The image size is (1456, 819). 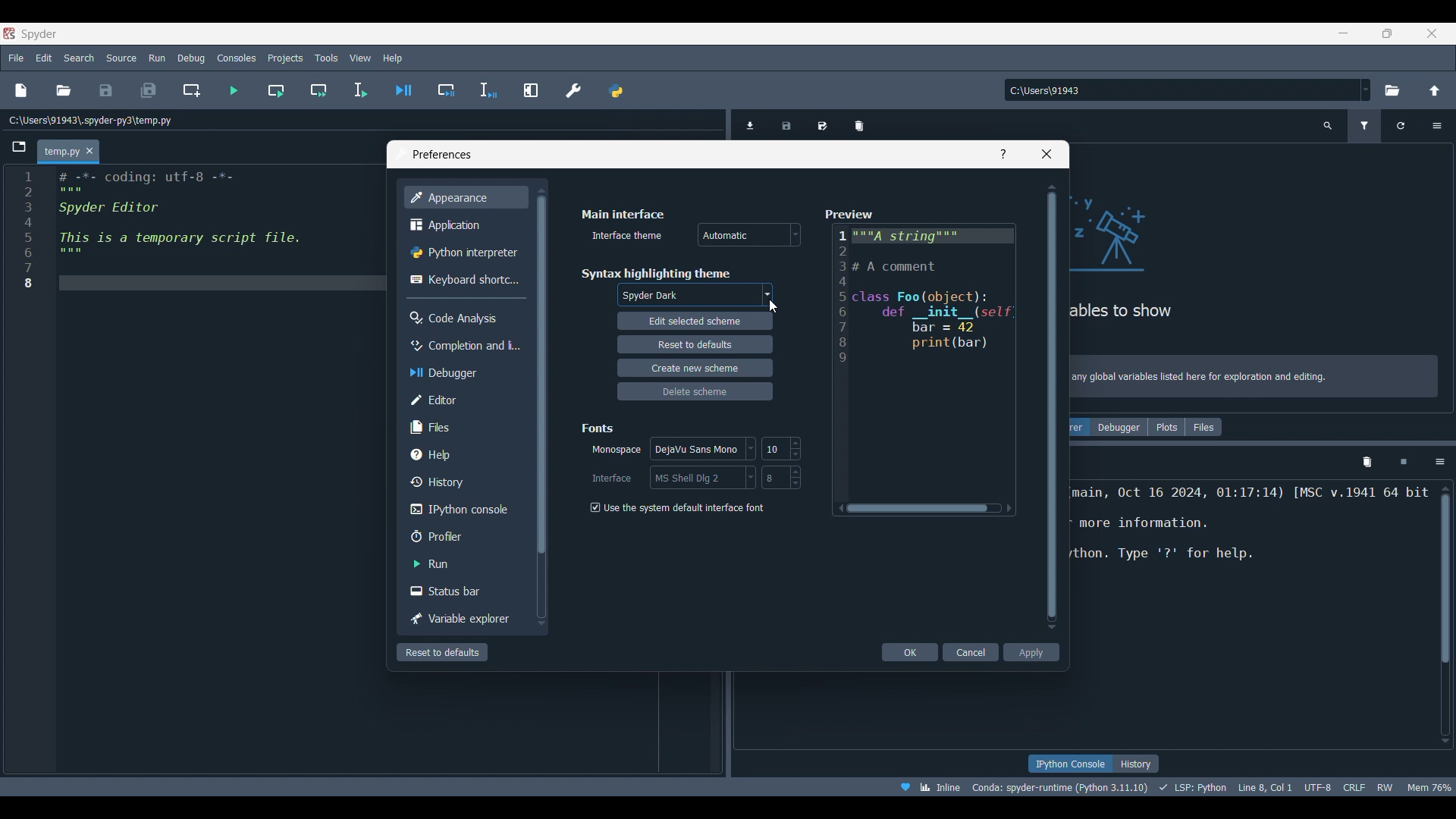 I want to click on Close interface, so click(x=1432, y=33).